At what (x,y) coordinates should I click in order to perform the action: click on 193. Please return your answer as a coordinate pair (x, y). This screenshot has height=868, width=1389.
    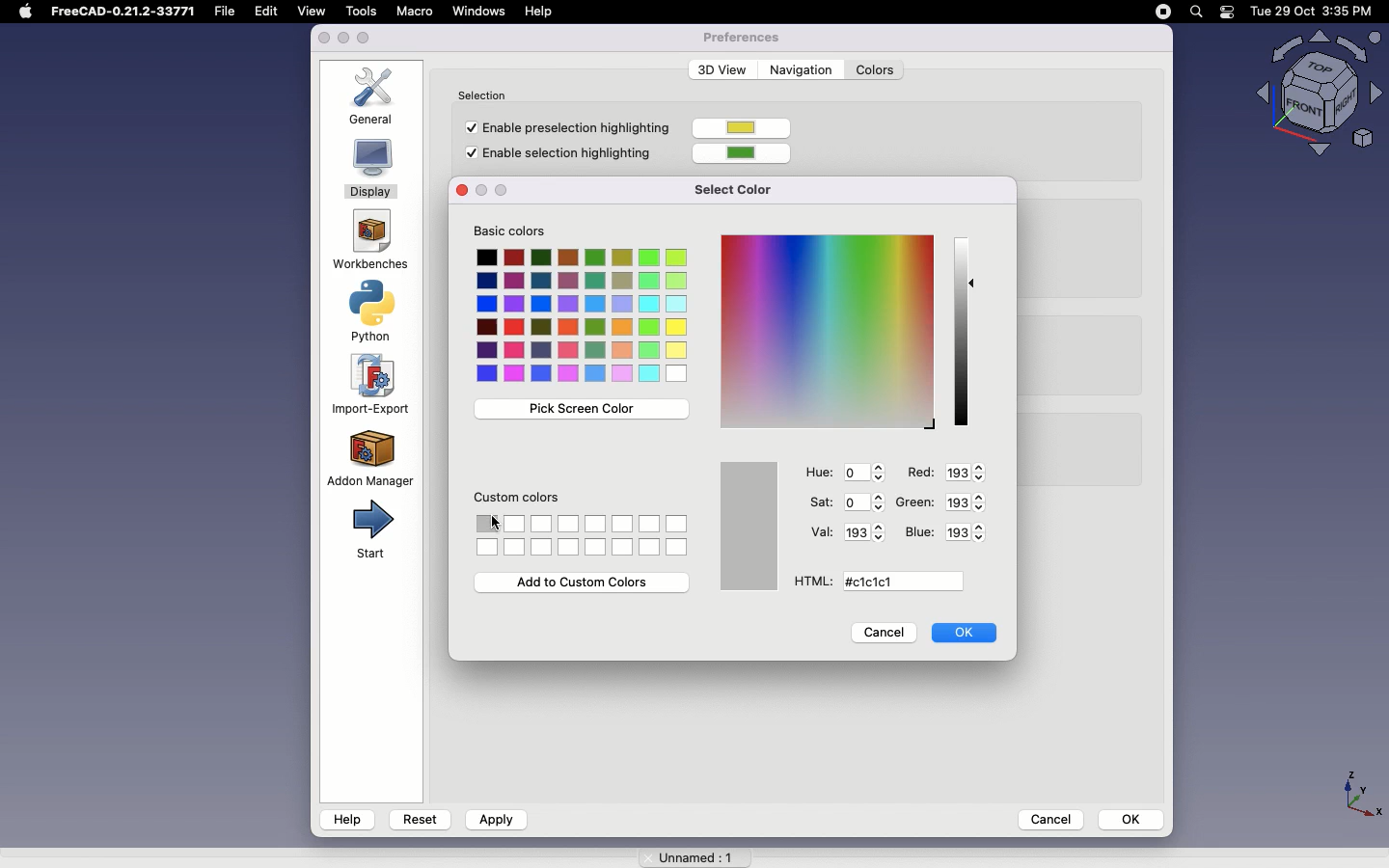
    Looking at the image, I should click on (971, 532).